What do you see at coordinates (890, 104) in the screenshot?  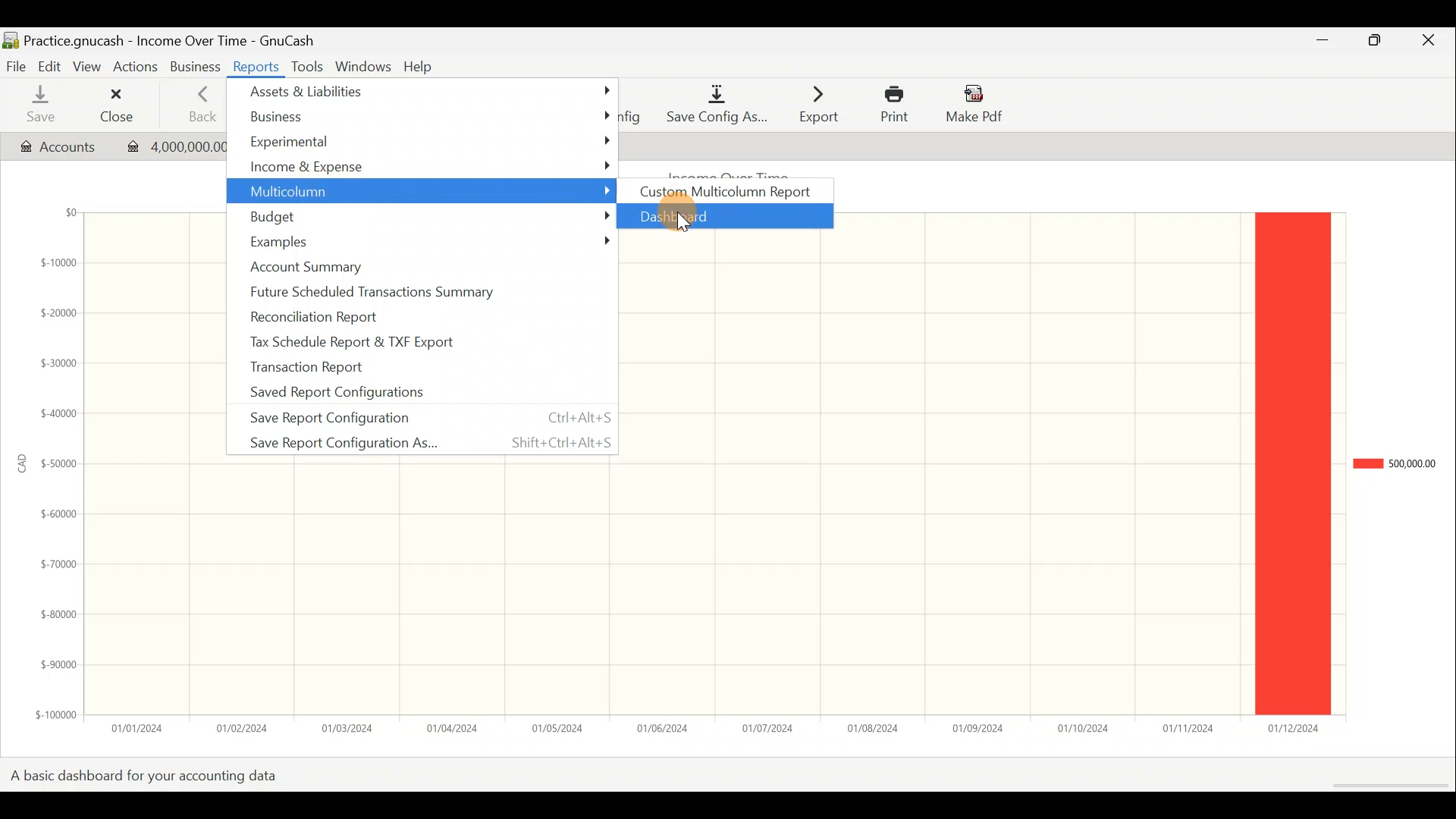 I see `Print` at bounding box center [890, 104].